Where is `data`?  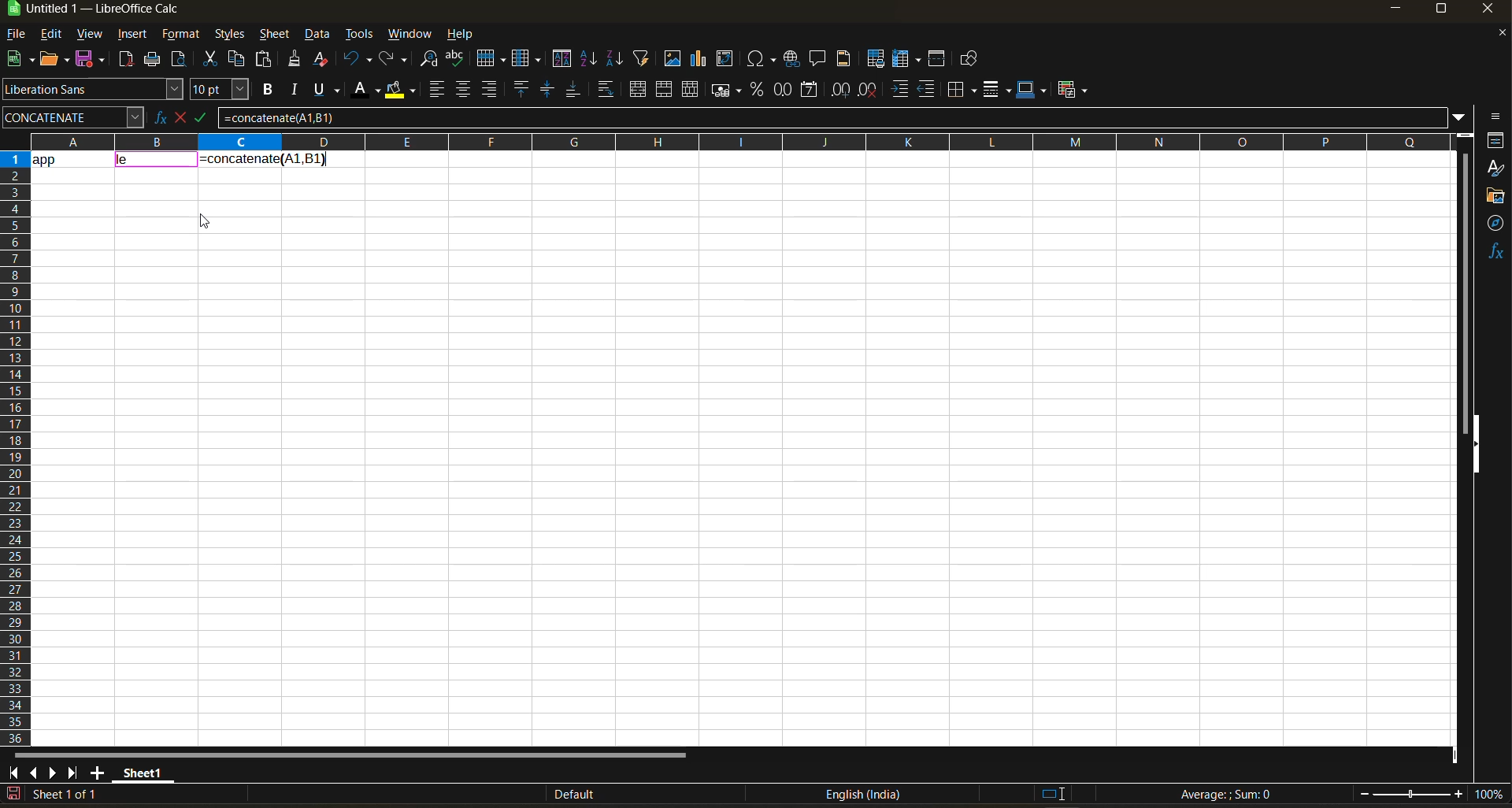 data is located at coordinates (319, 35).